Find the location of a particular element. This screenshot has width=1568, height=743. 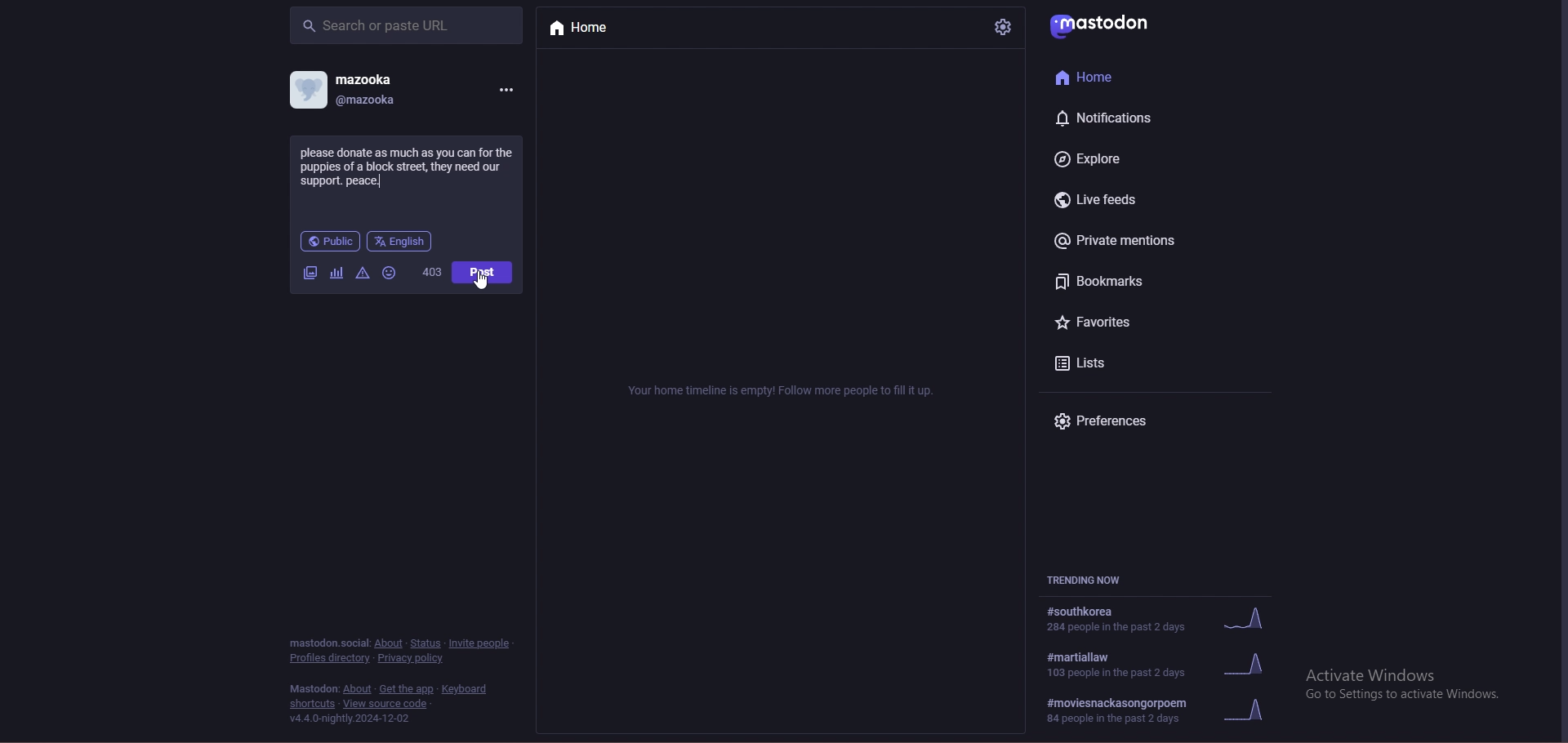

trending now is located at coordinates (1094, 581).